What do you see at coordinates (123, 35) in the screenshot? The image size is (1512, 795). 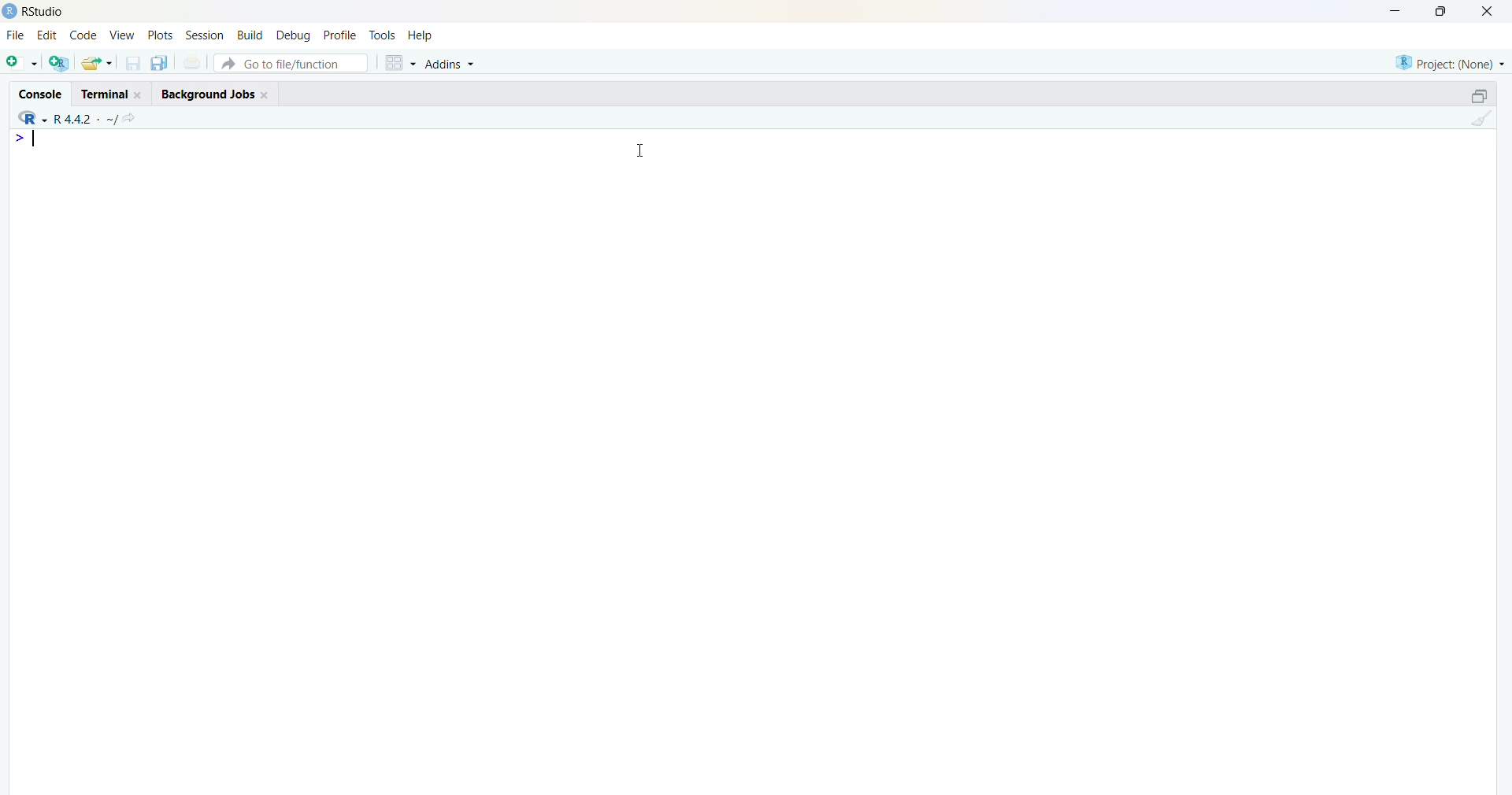 I see `View` at bounding box center [123, 35].